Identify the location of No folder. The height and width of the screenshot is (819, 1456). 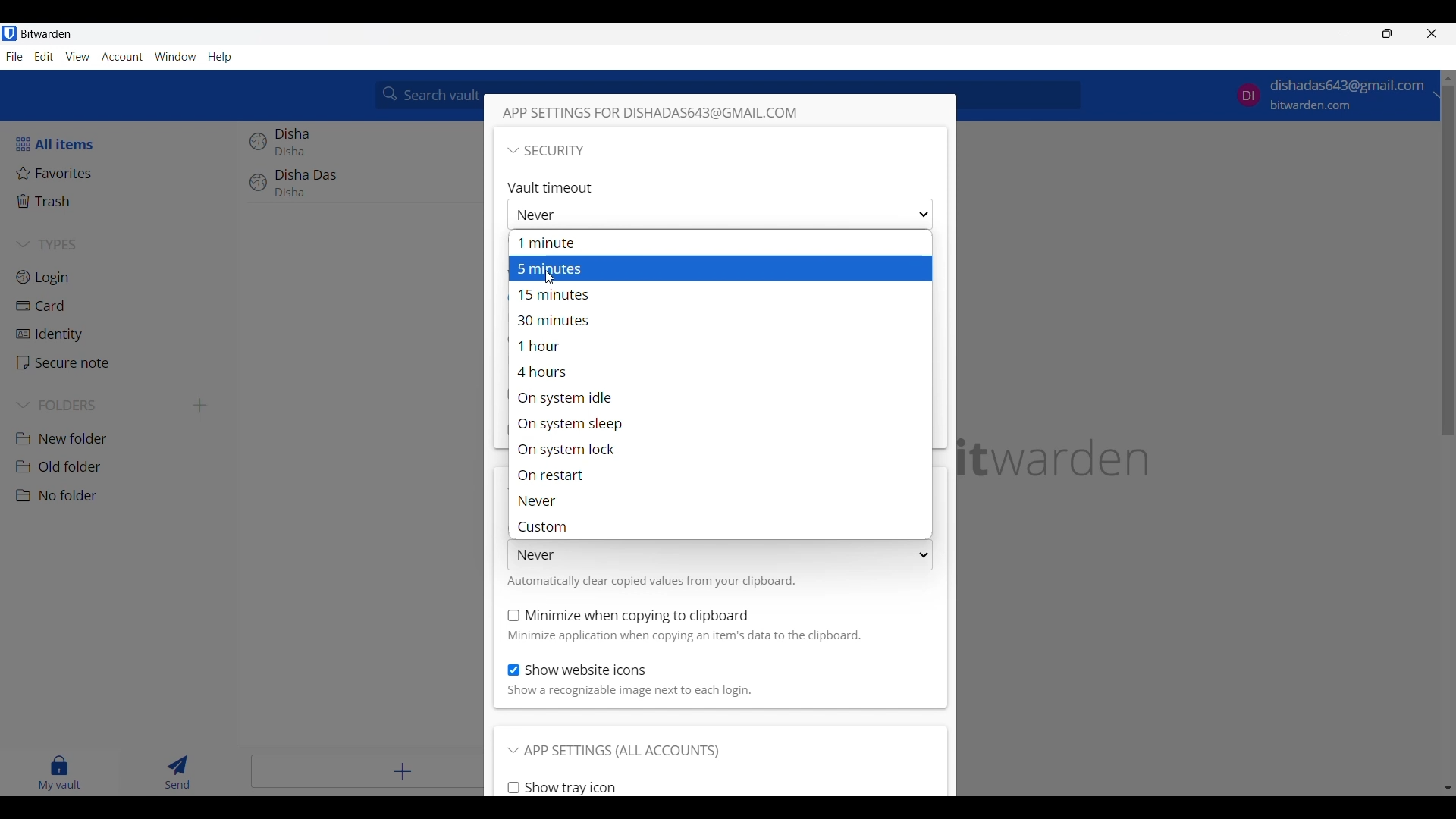
(123, 496).